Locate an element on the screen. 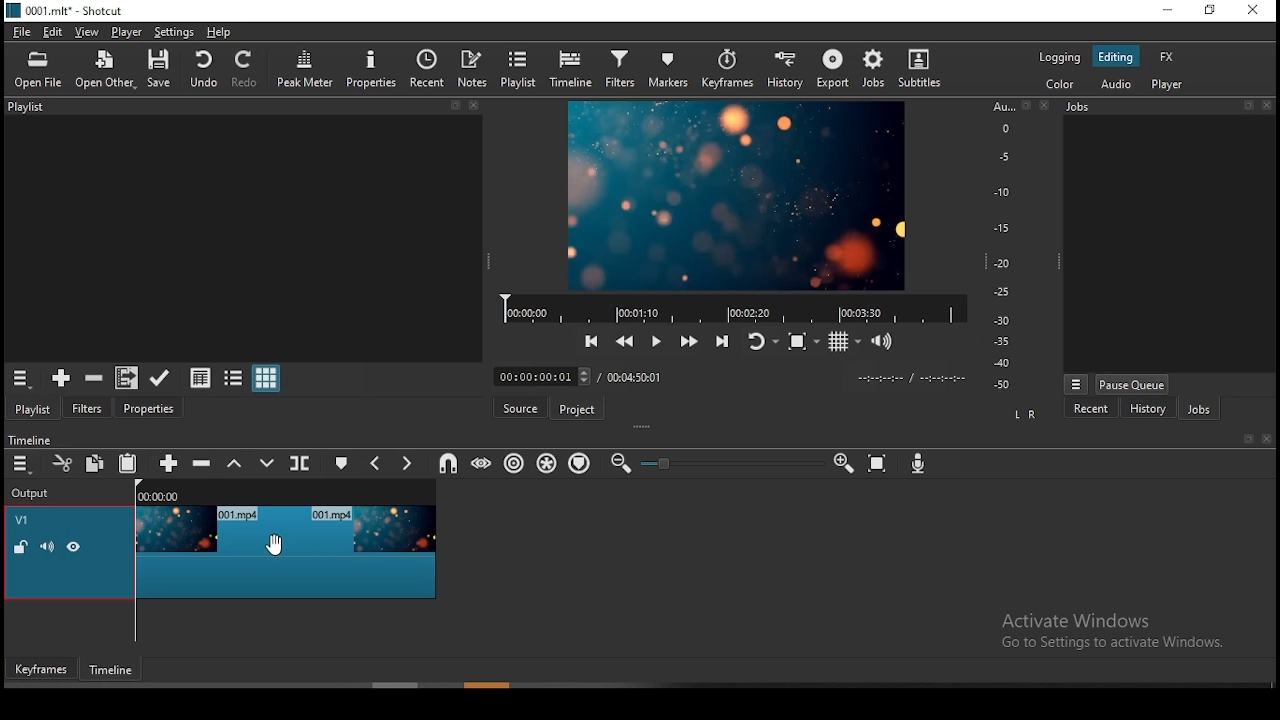  snap is located at coordinates (444, 464).